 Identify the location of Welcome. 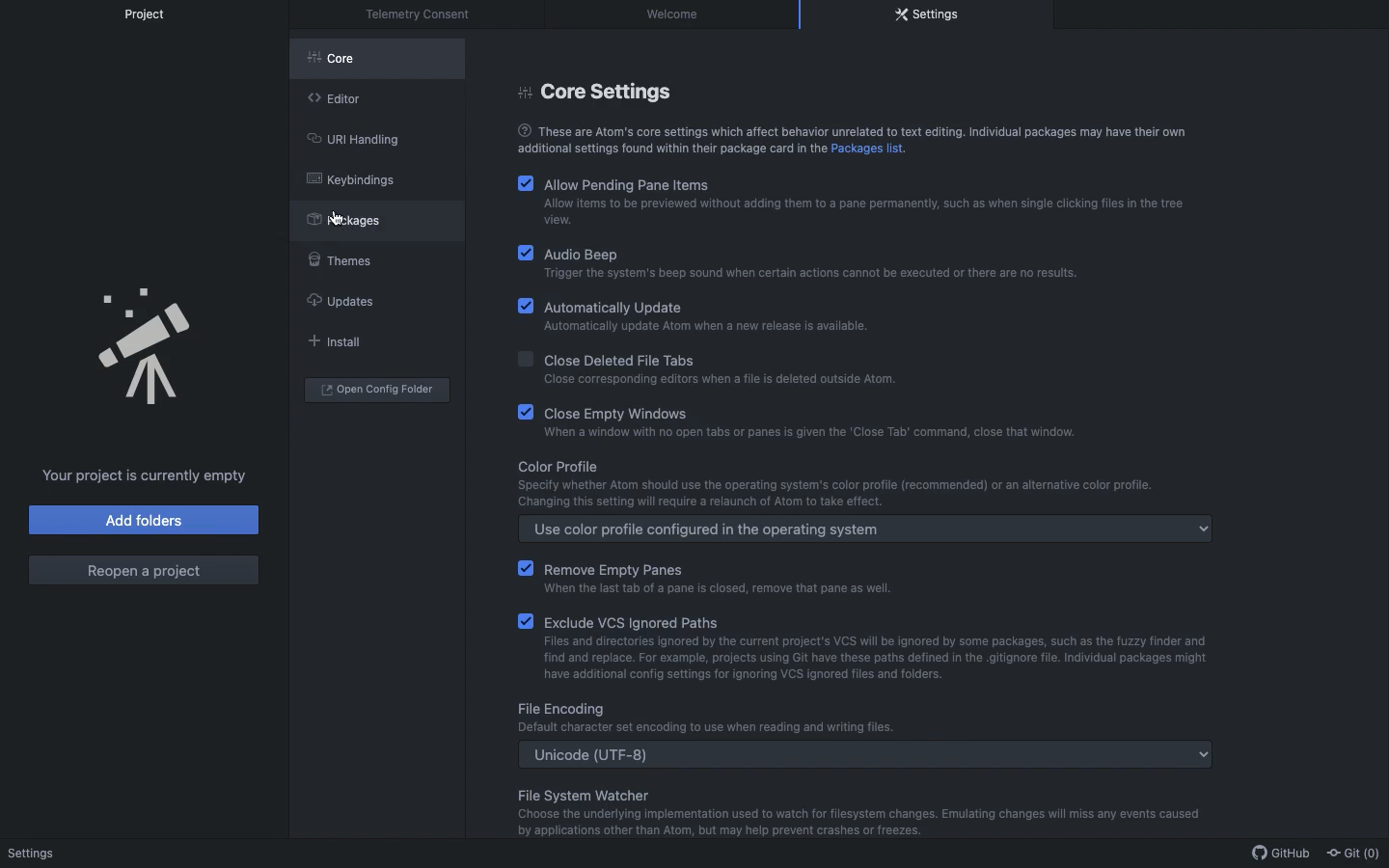
(676, 14).